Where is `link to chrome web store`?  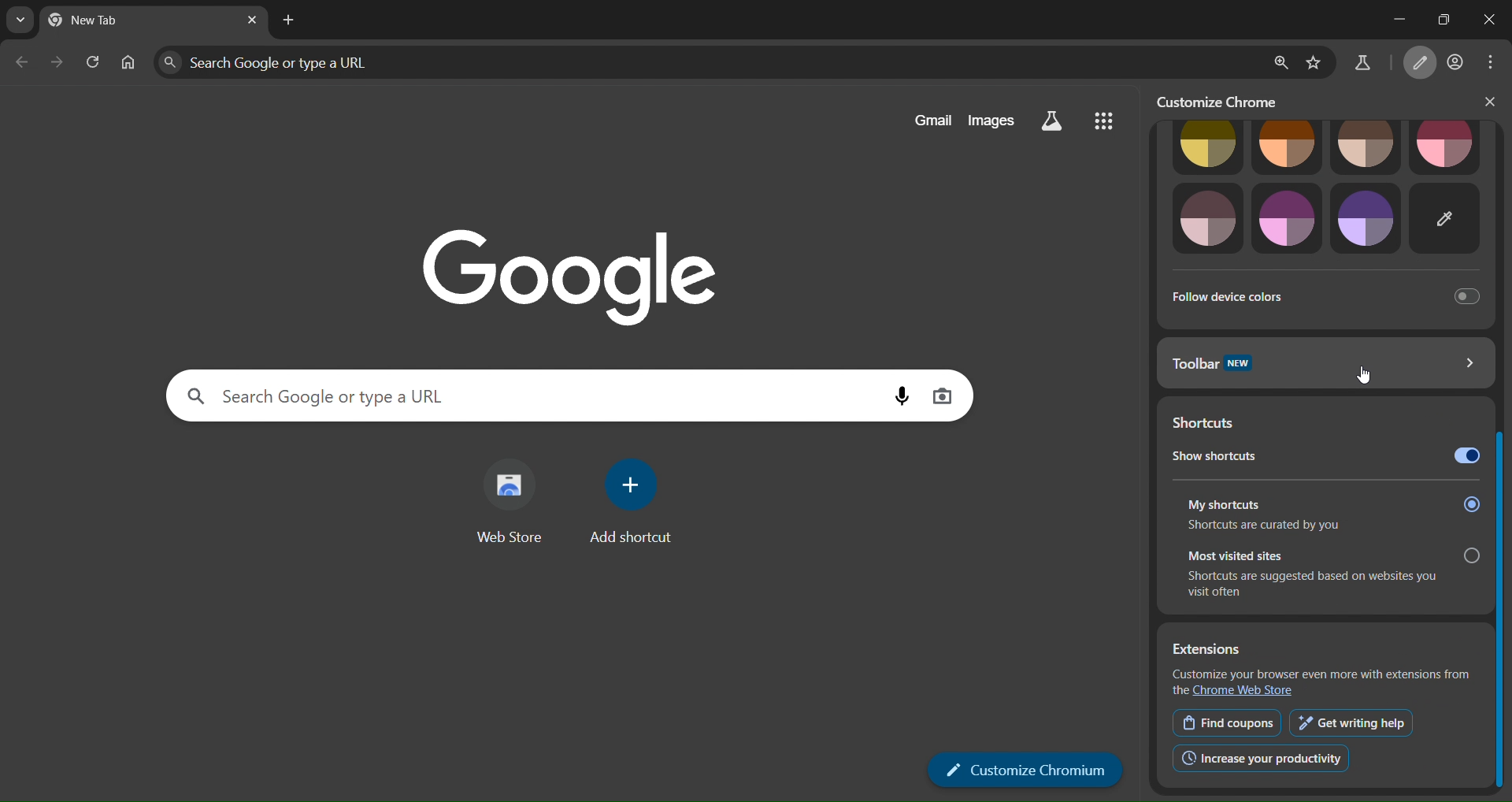 link to chrome web store is located at coordinates (1245, 691).